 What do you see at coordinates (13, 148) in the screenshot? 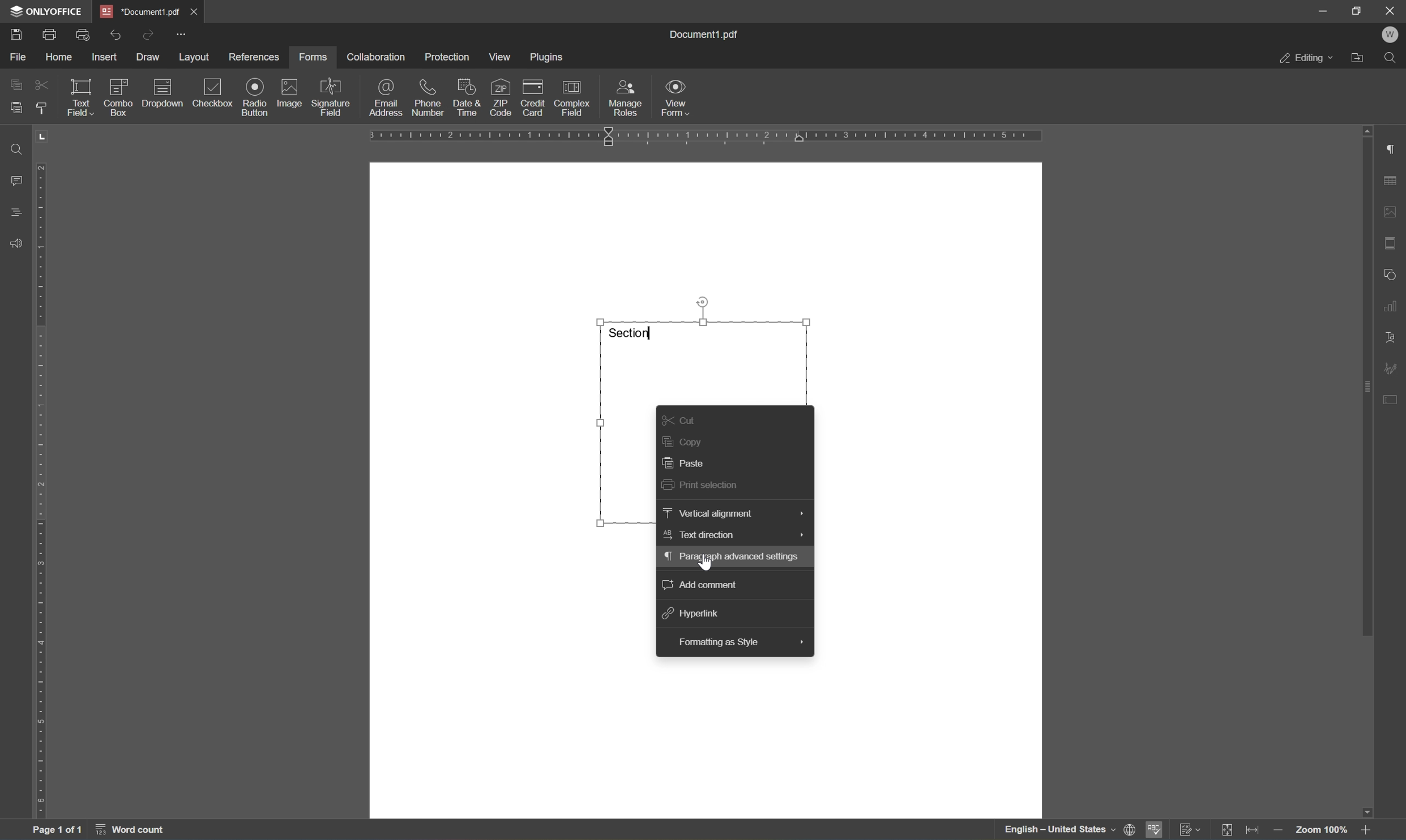
I see `find` at bounding box center [13, 148].